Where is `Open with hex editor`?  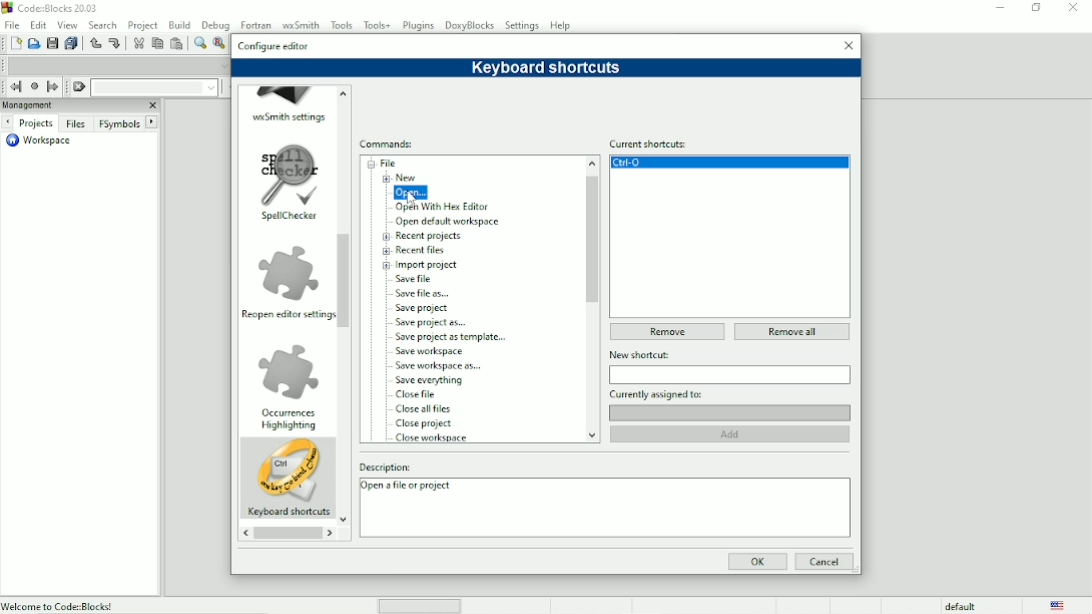 Open with hex editor is located at coordinates (444, 208).